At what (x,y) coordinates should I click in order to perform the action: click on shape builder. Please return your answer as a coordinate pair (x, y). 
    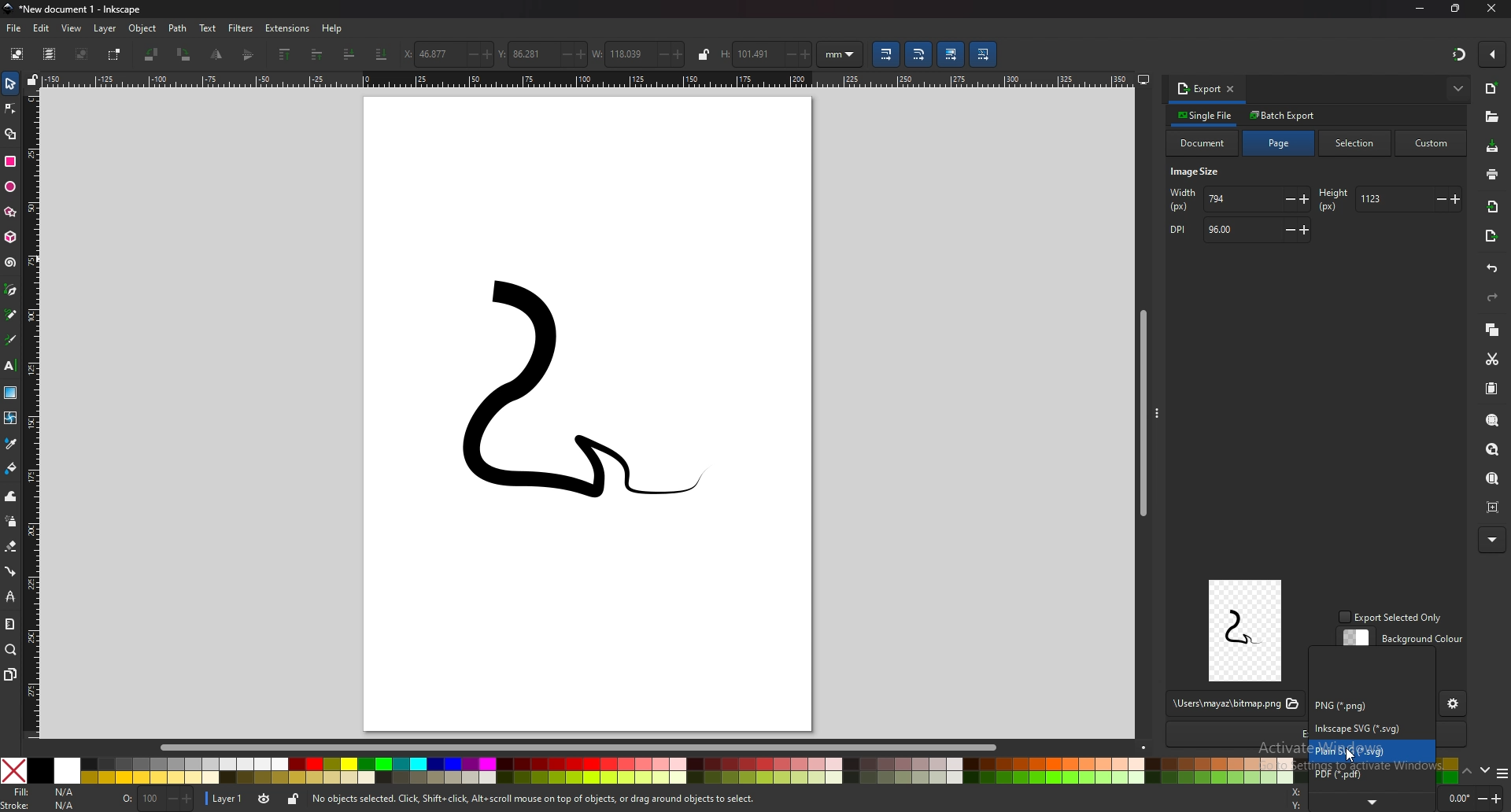
    Looking at the image, I should click on (10, 133).